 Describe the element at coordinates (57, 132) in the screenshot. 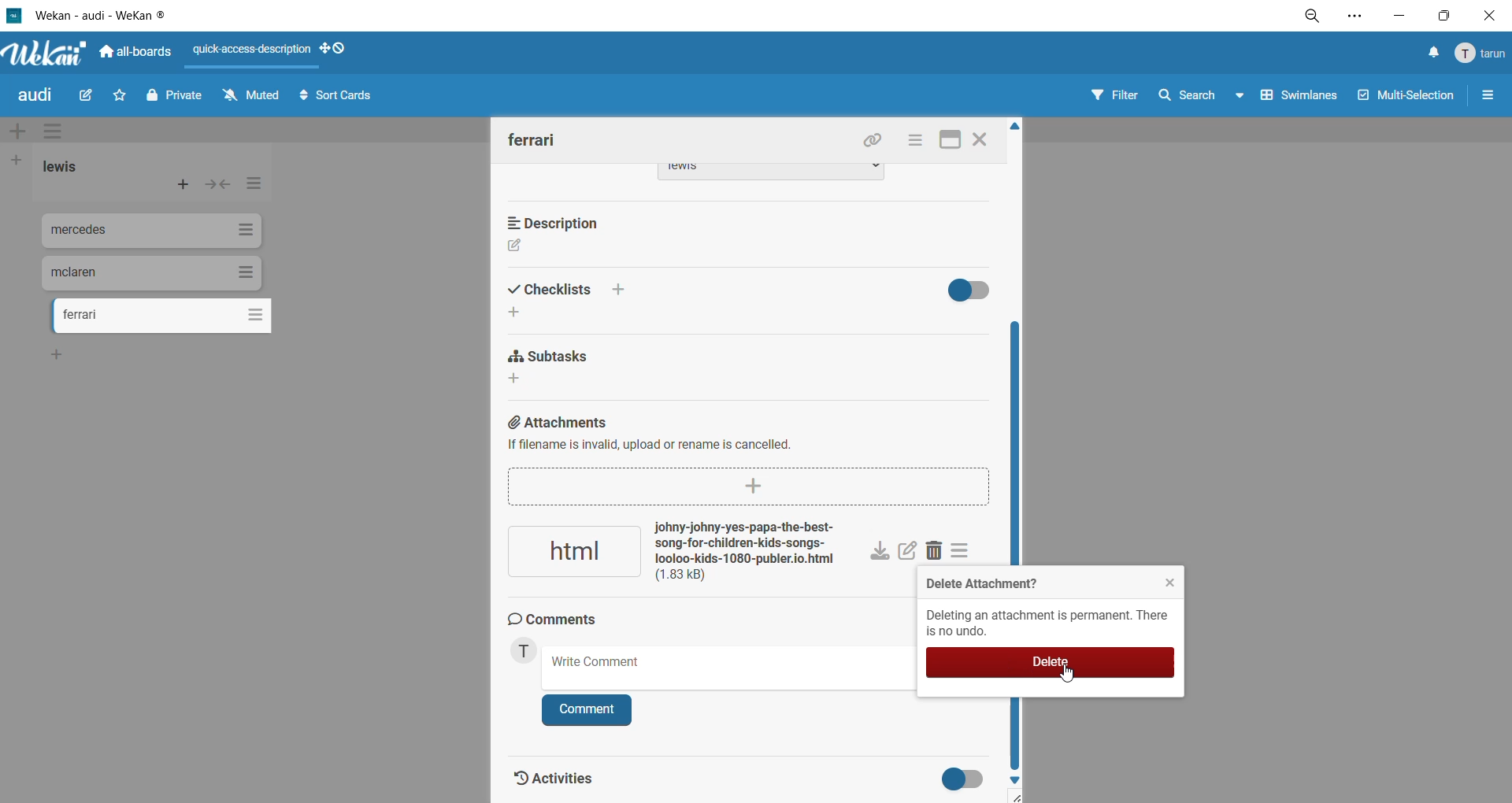

I see `swimlane actions` at that location.